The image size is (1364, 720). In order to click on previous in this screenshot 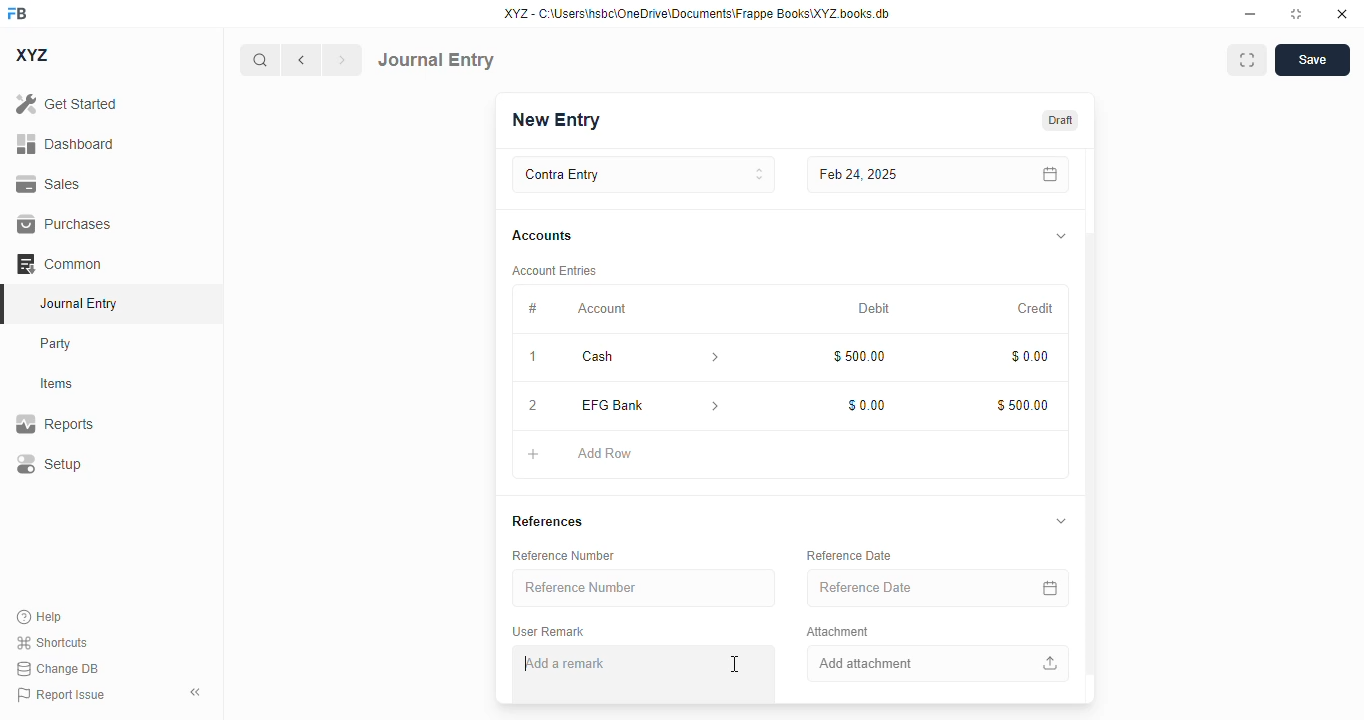, I will do `click(301, 60)`.